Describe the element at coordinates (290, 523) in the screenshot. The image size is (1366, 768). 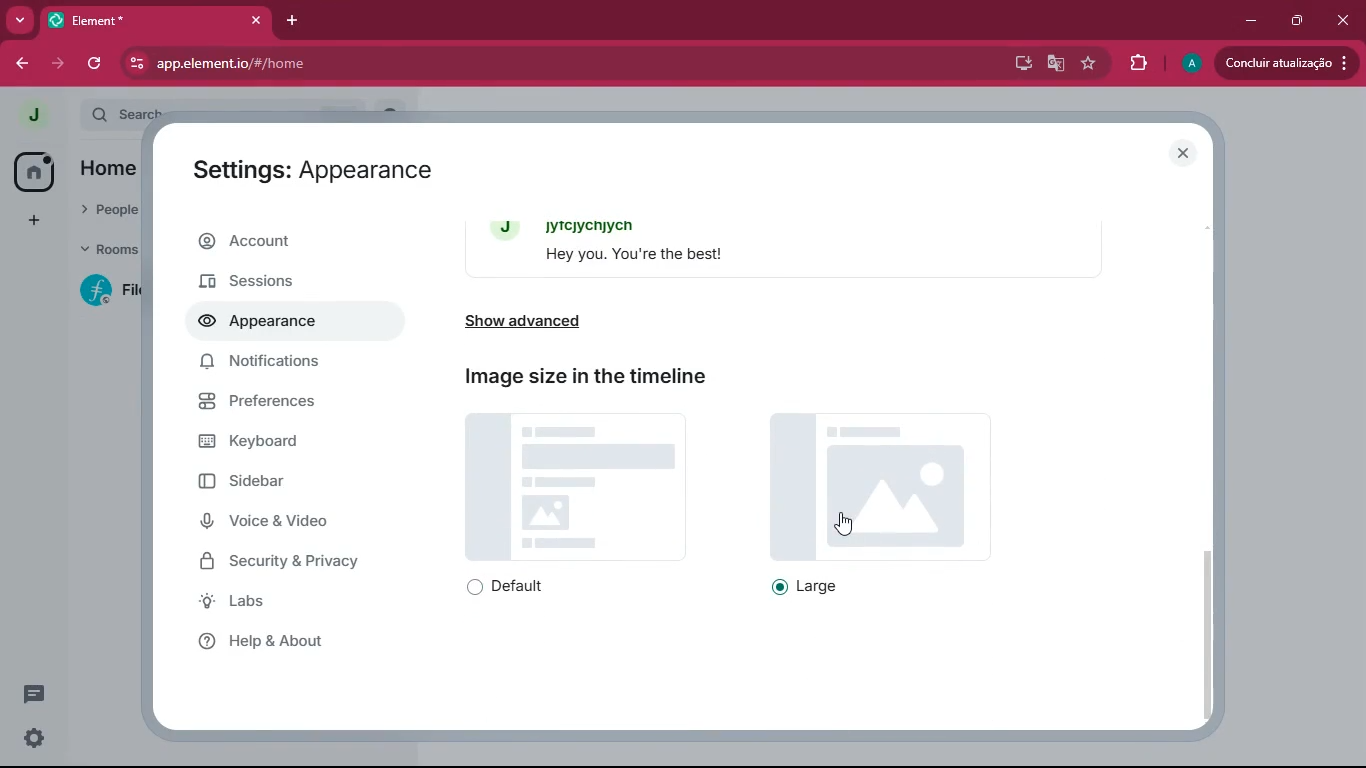
I see `voice & video` at that location.